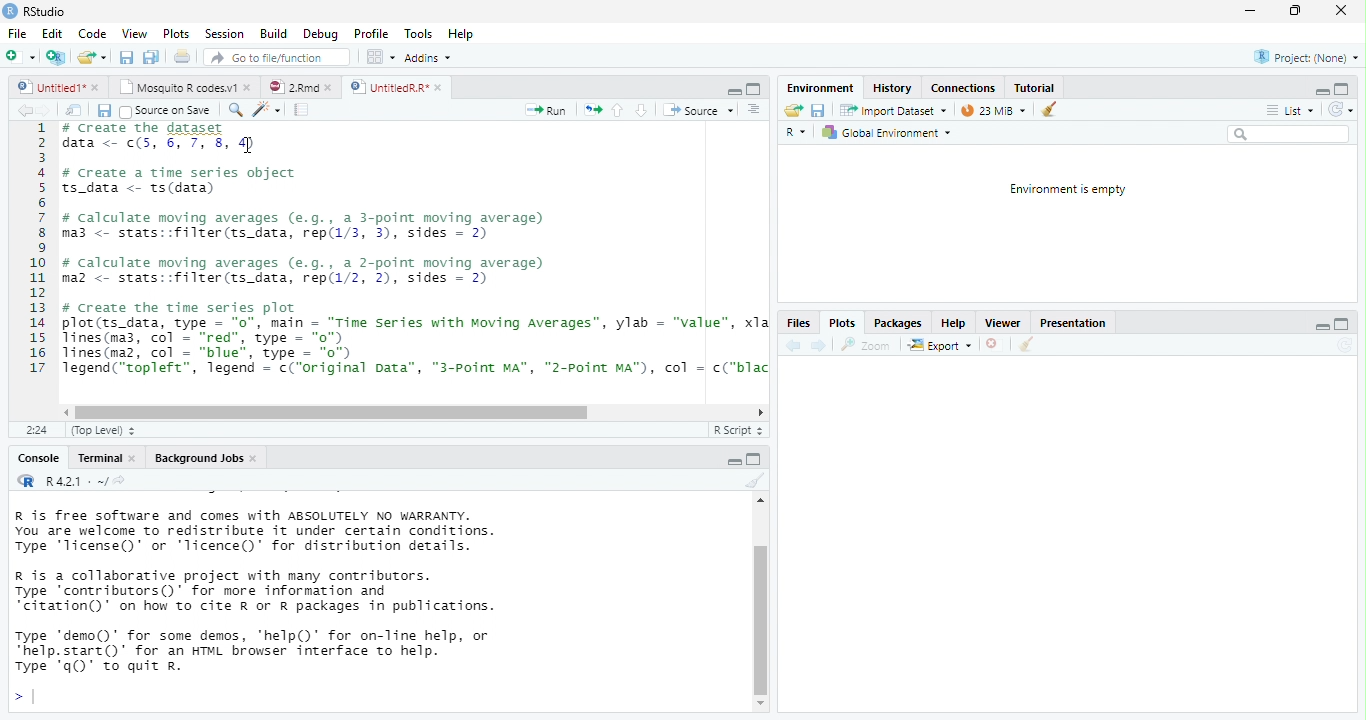 The height and width of the screenshot is (720, 1366). I want to click on Build, so click(273, 34).